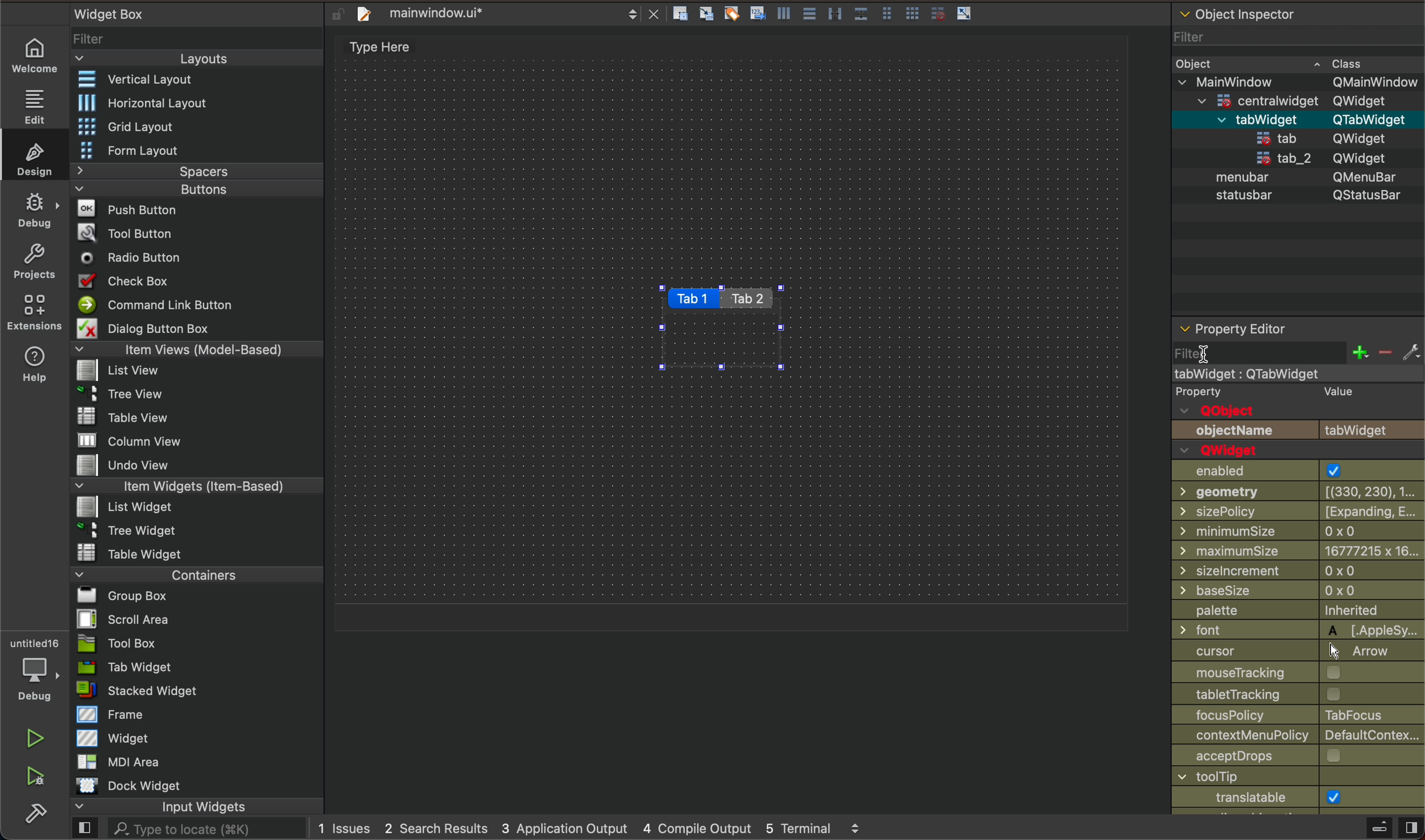 The height and width of the screenshot is (840, 1425). Describe the element at coordinates (872, 12) in the screenshot. I see `layout actions` at that location.